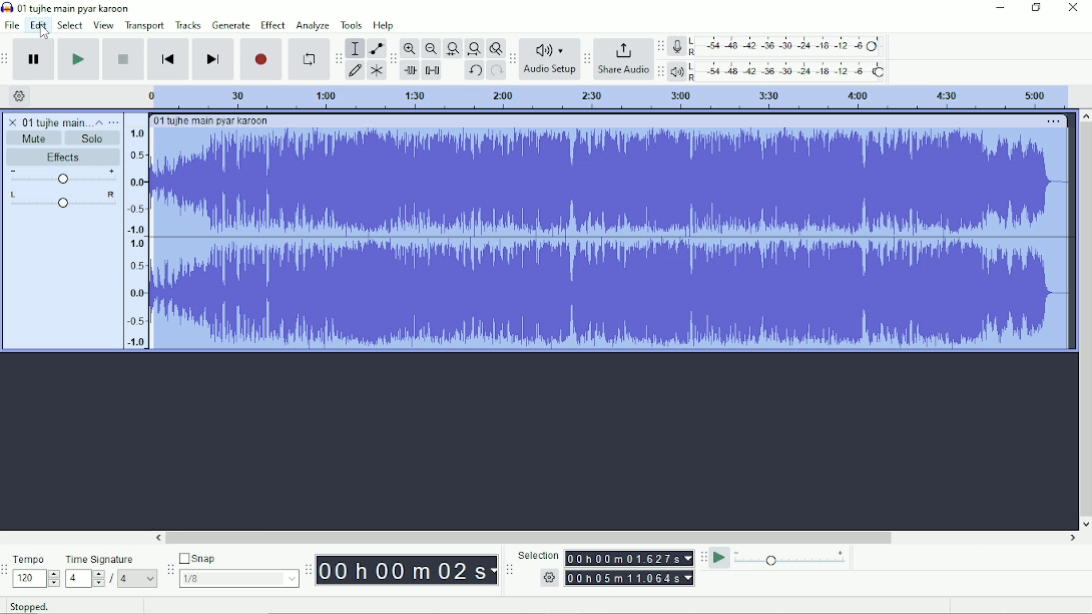 Image resolution: width=1092 pixels, height=614 pixels. I want to click on close, so click(13, 119).